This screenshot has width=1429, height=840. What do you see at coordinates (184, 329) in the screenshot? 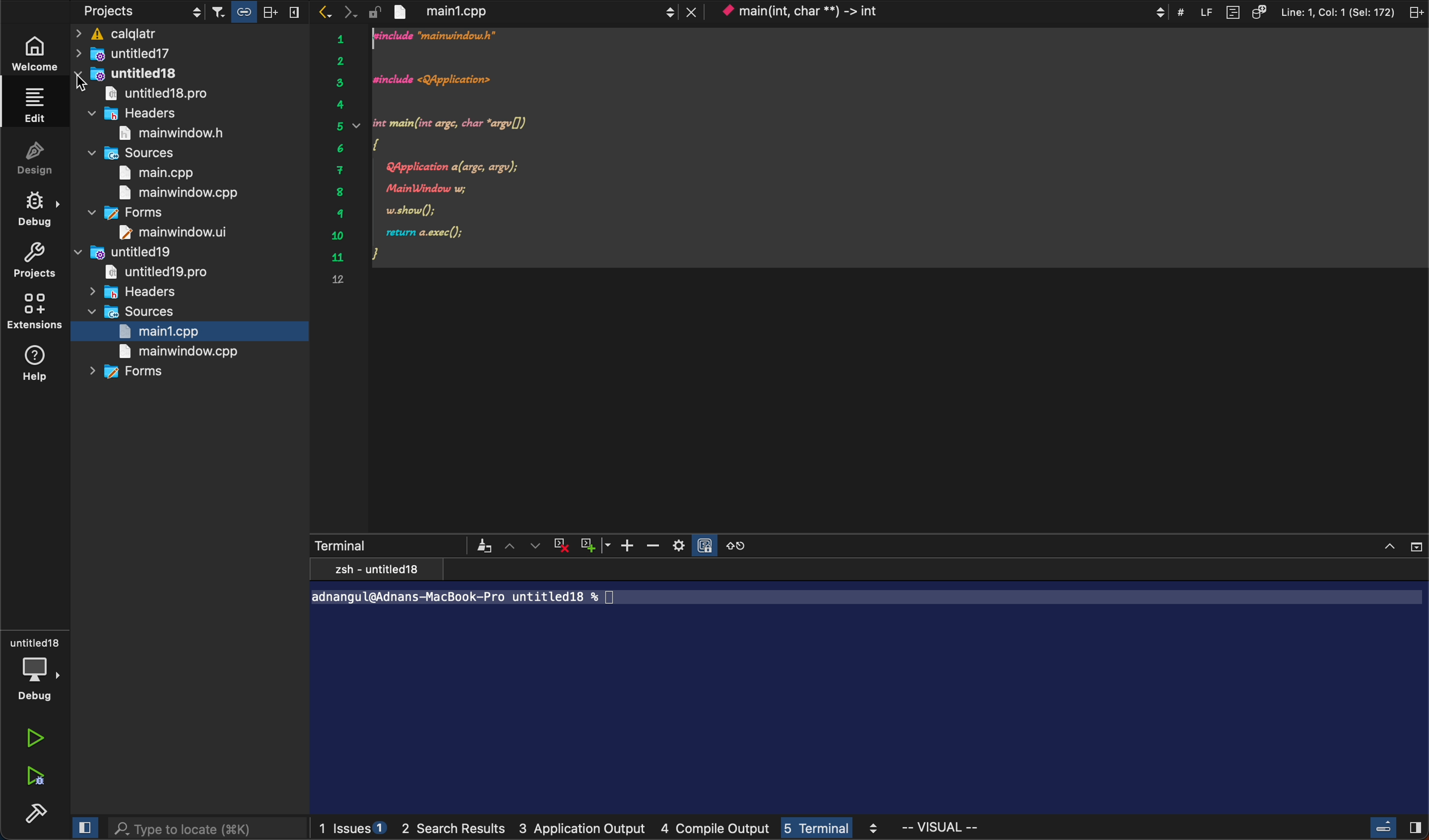
I see `main 1.cpp` at bounding box center [184, 329].